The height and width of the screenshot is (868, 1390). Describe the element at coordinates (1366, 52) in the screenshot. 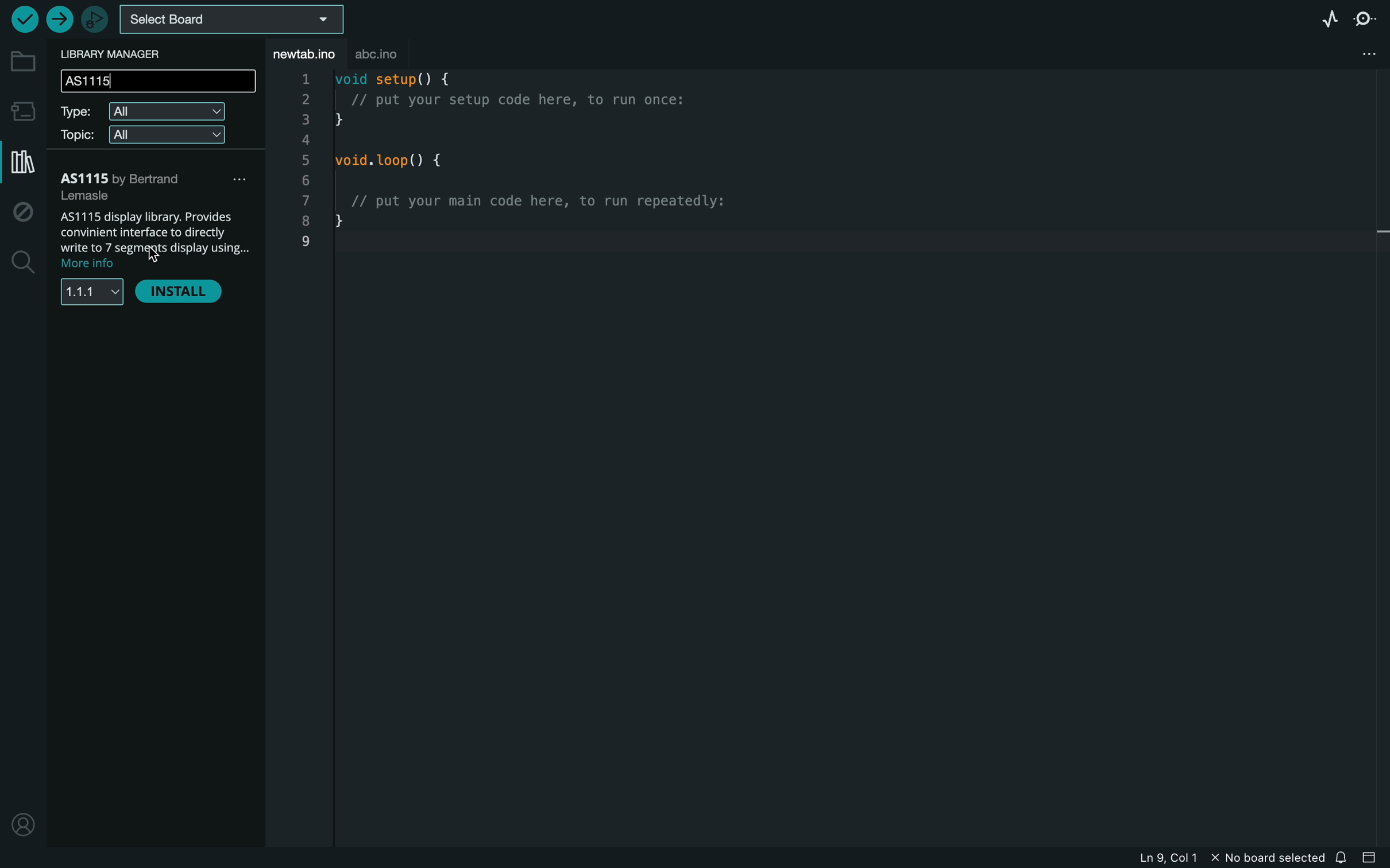

I see `files setting` at that location.